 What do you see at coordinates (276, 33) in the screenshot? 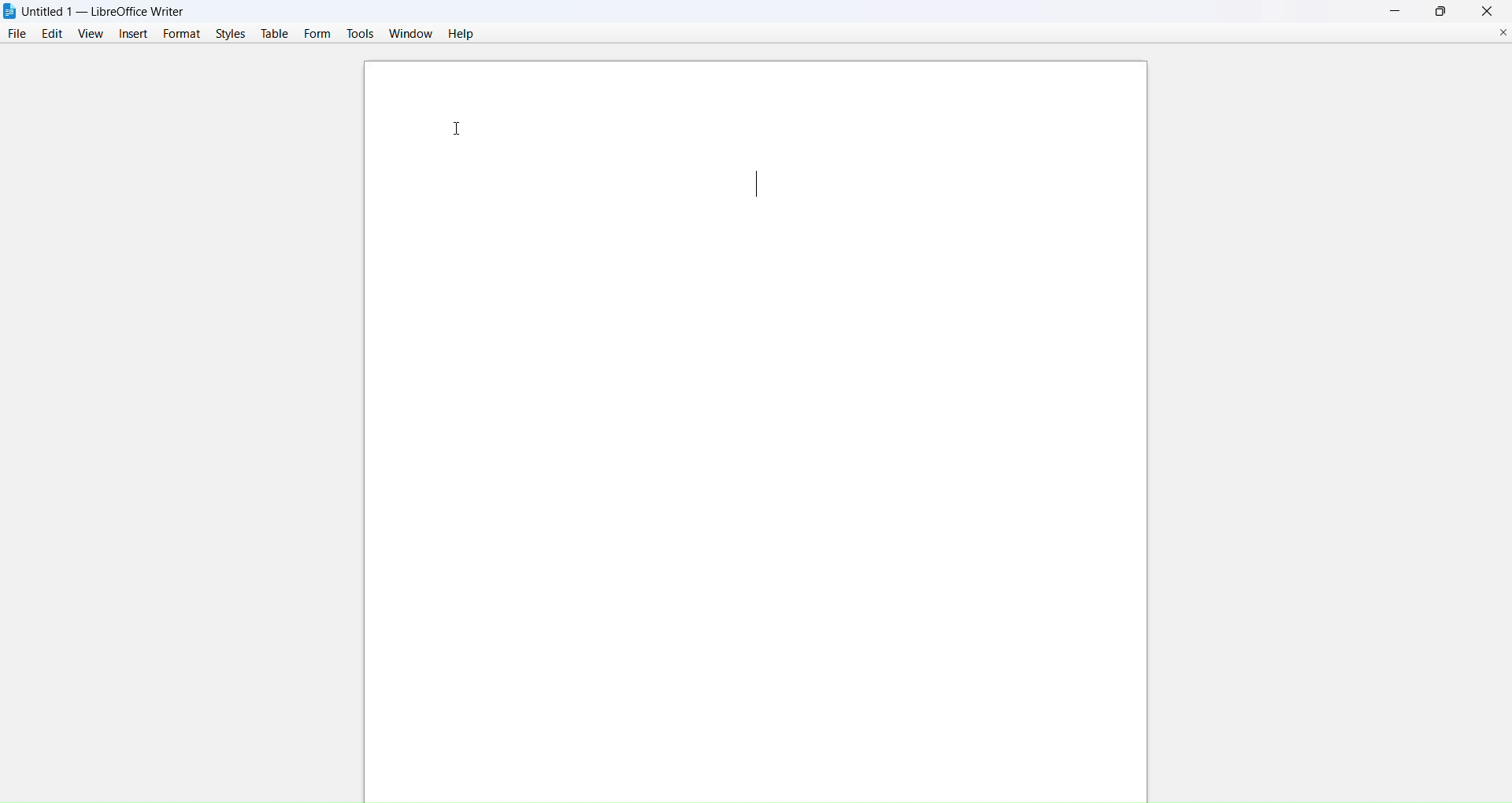
I see `table` at bounding box center [276, 33].